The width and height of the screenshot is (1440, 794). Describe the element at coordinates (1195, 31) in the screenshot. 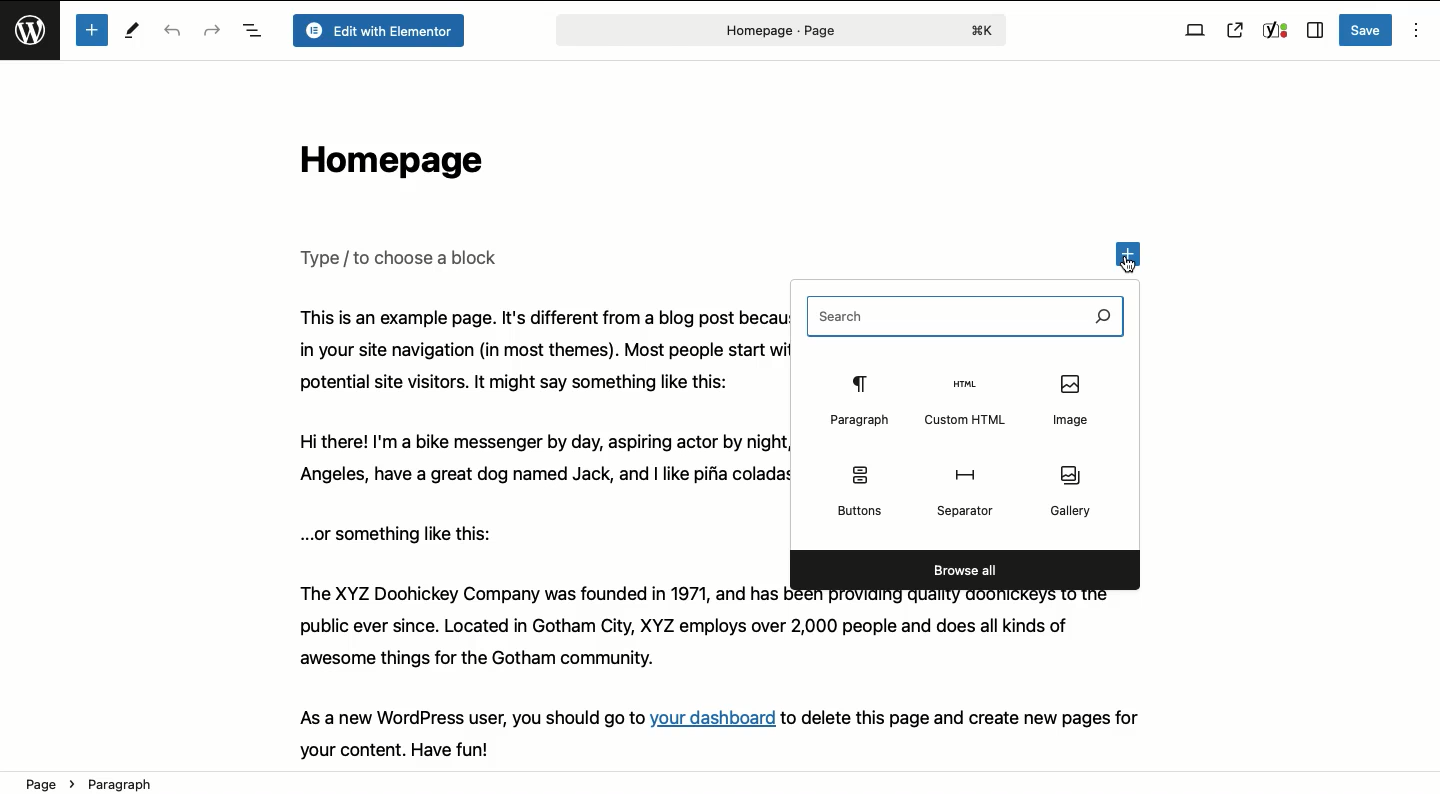

I see `View` at that location.